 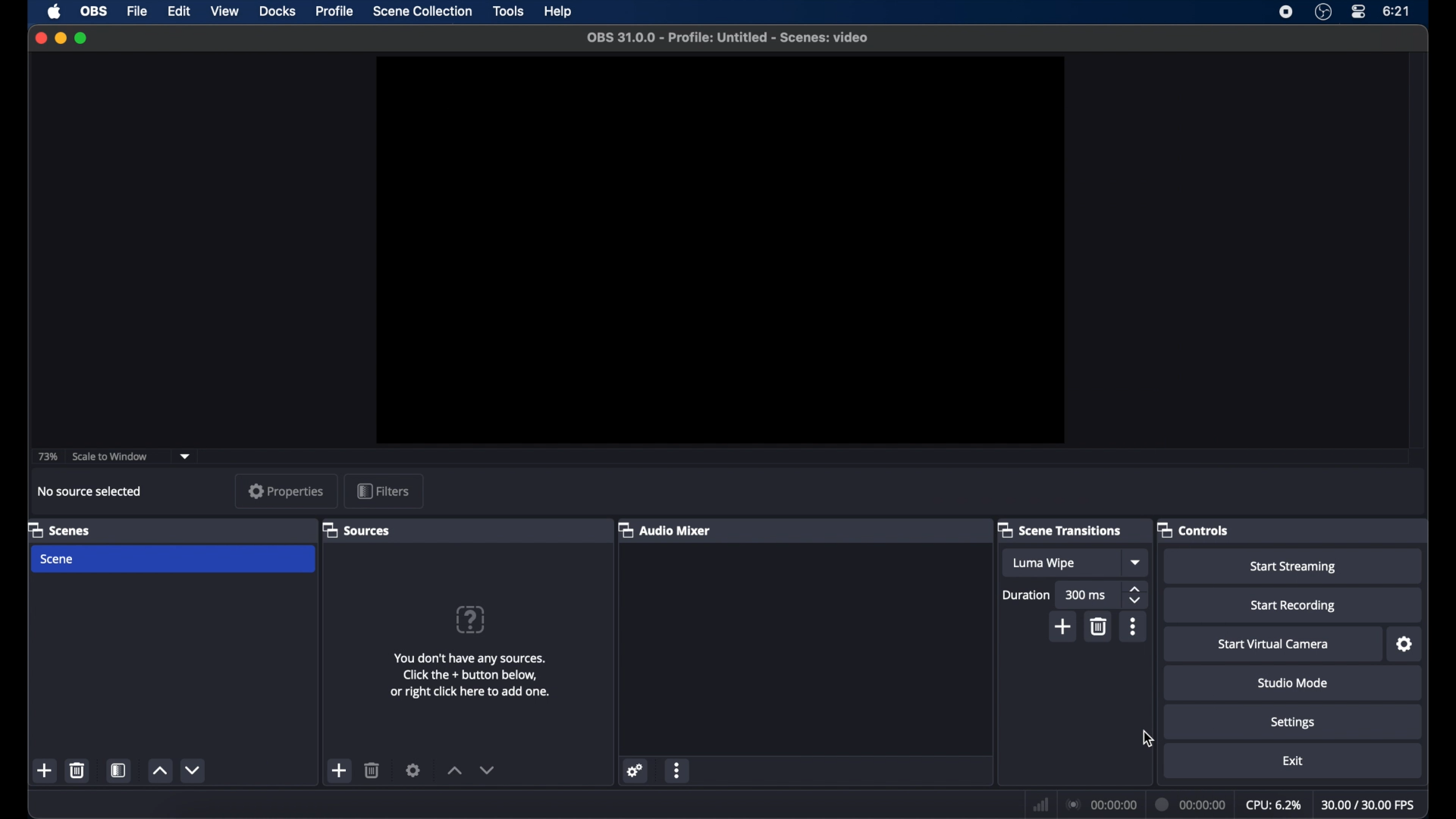 I want to click on audio mixer, so click(x=664, y=529).